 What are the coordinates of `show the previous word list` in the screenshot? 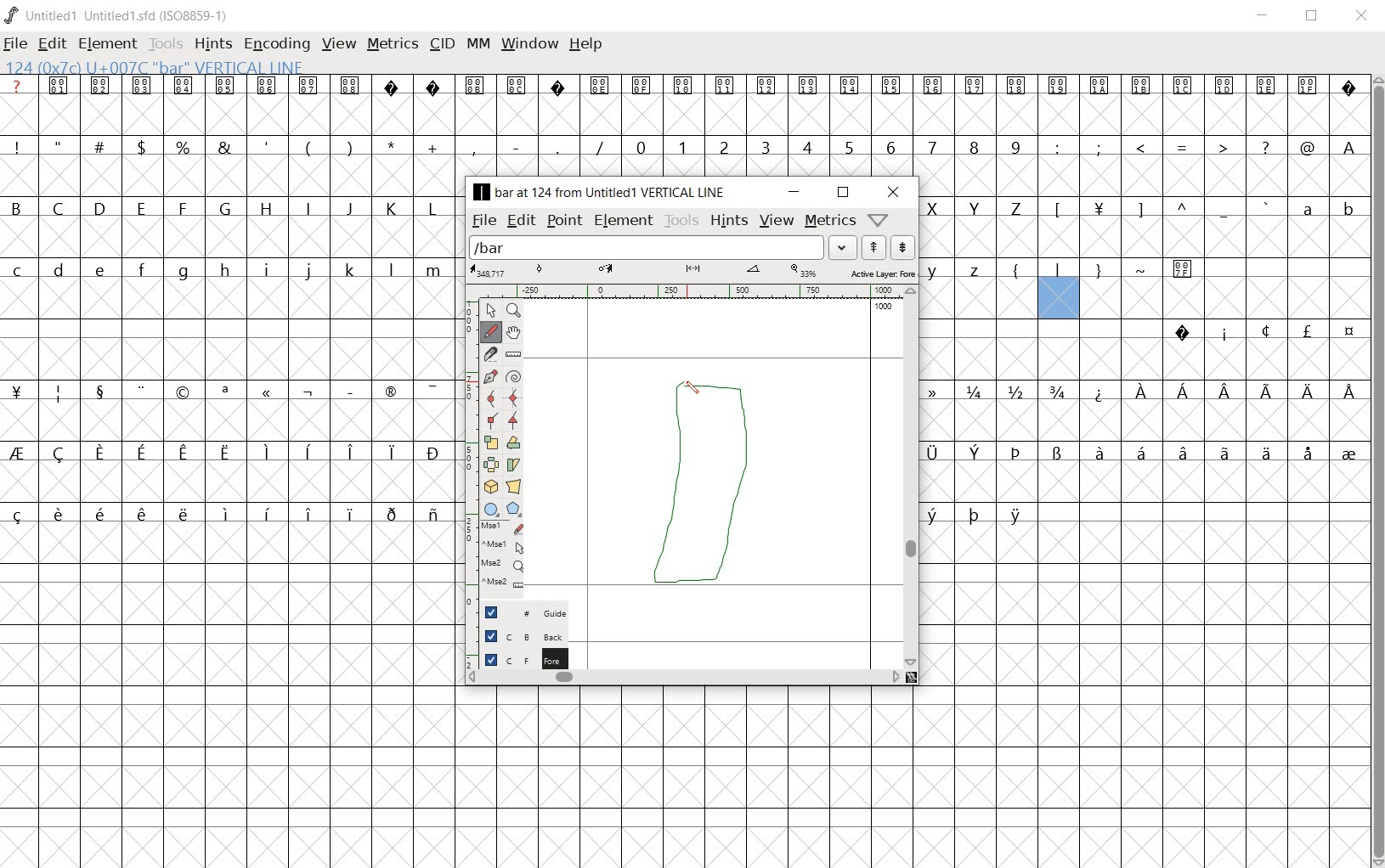 It's located at (873, 247).